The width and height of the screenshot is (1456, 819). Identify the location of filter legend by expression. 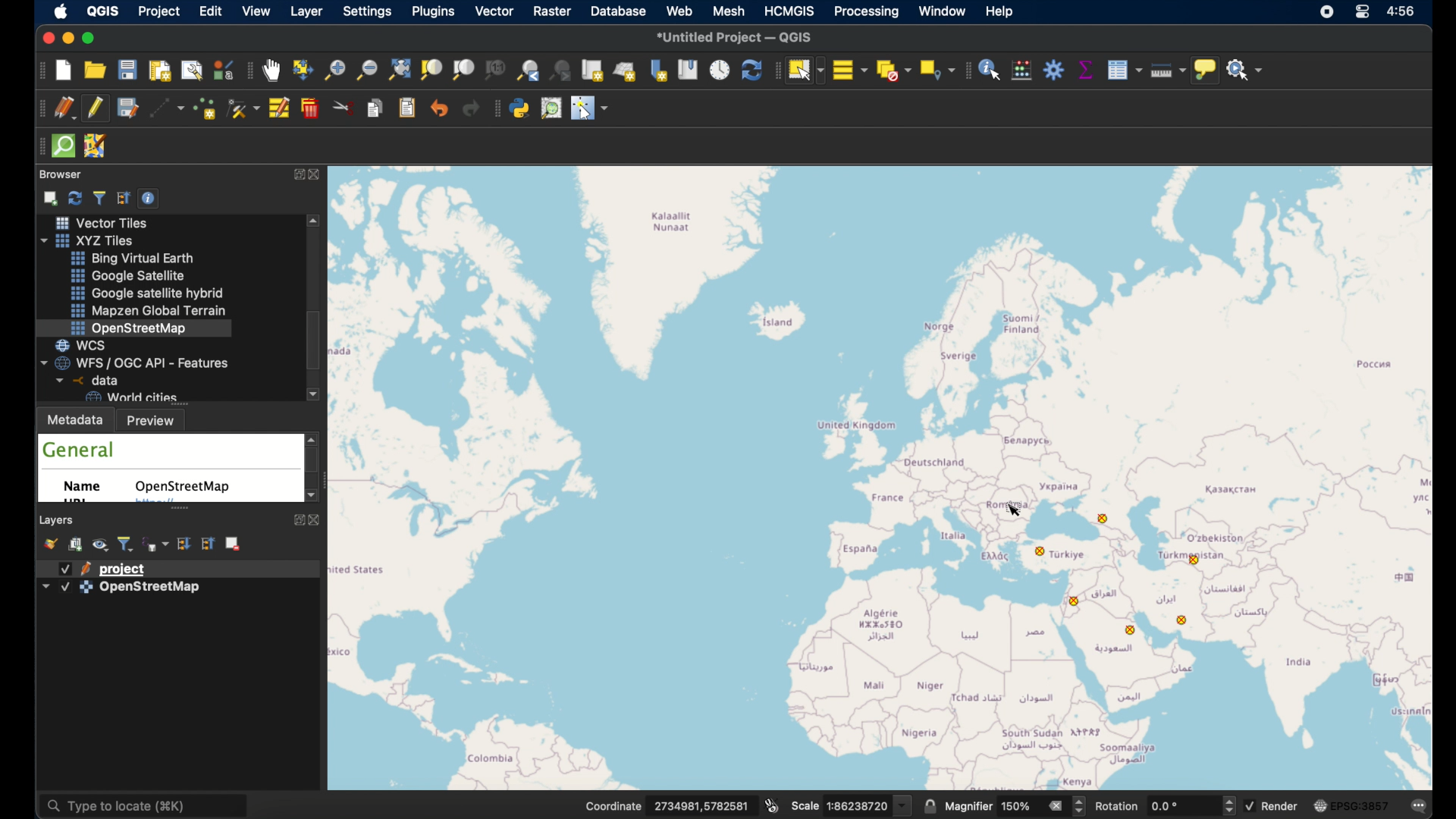
(156, 543).